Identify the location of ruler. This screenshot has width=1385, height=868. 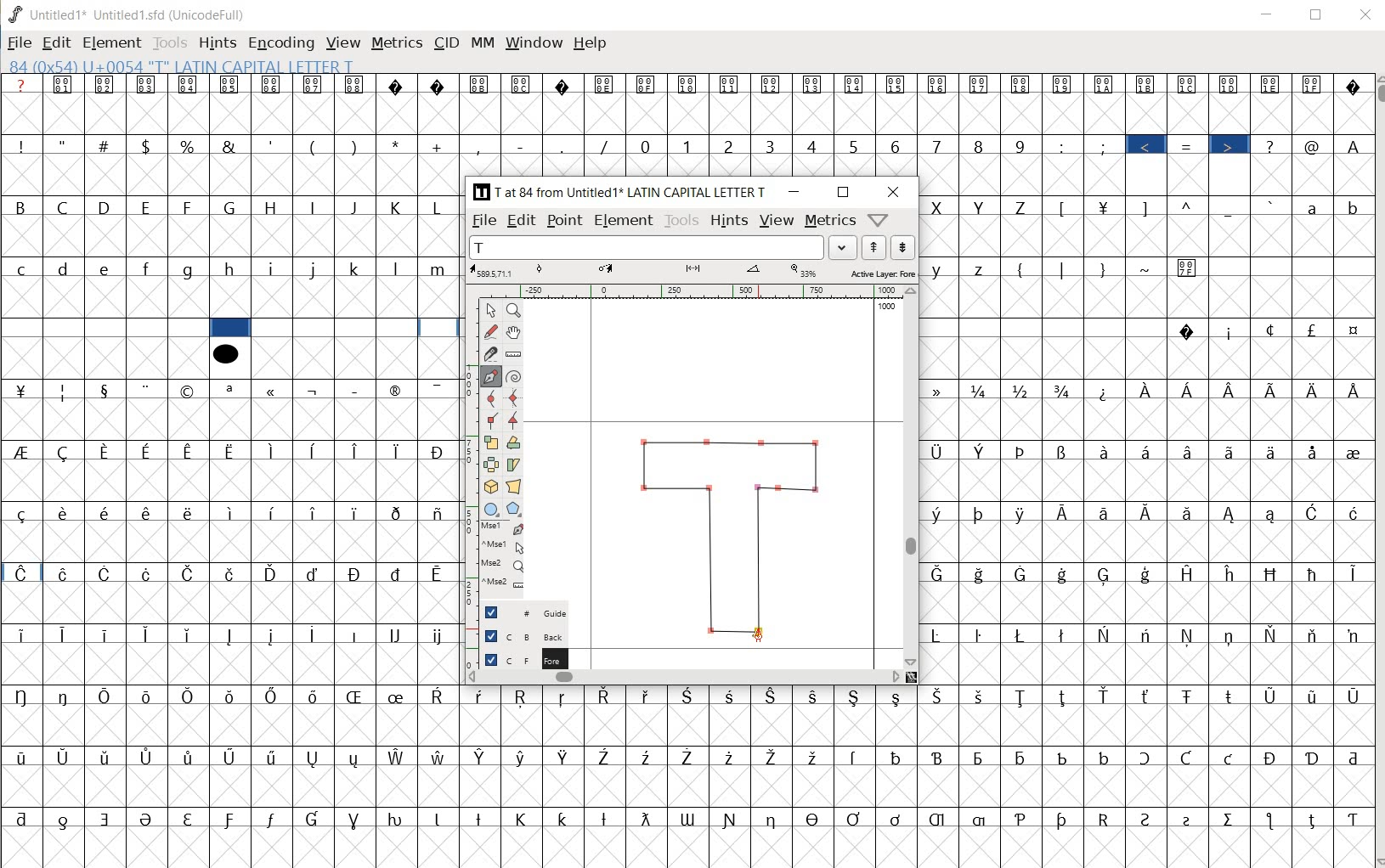
(467, 448).